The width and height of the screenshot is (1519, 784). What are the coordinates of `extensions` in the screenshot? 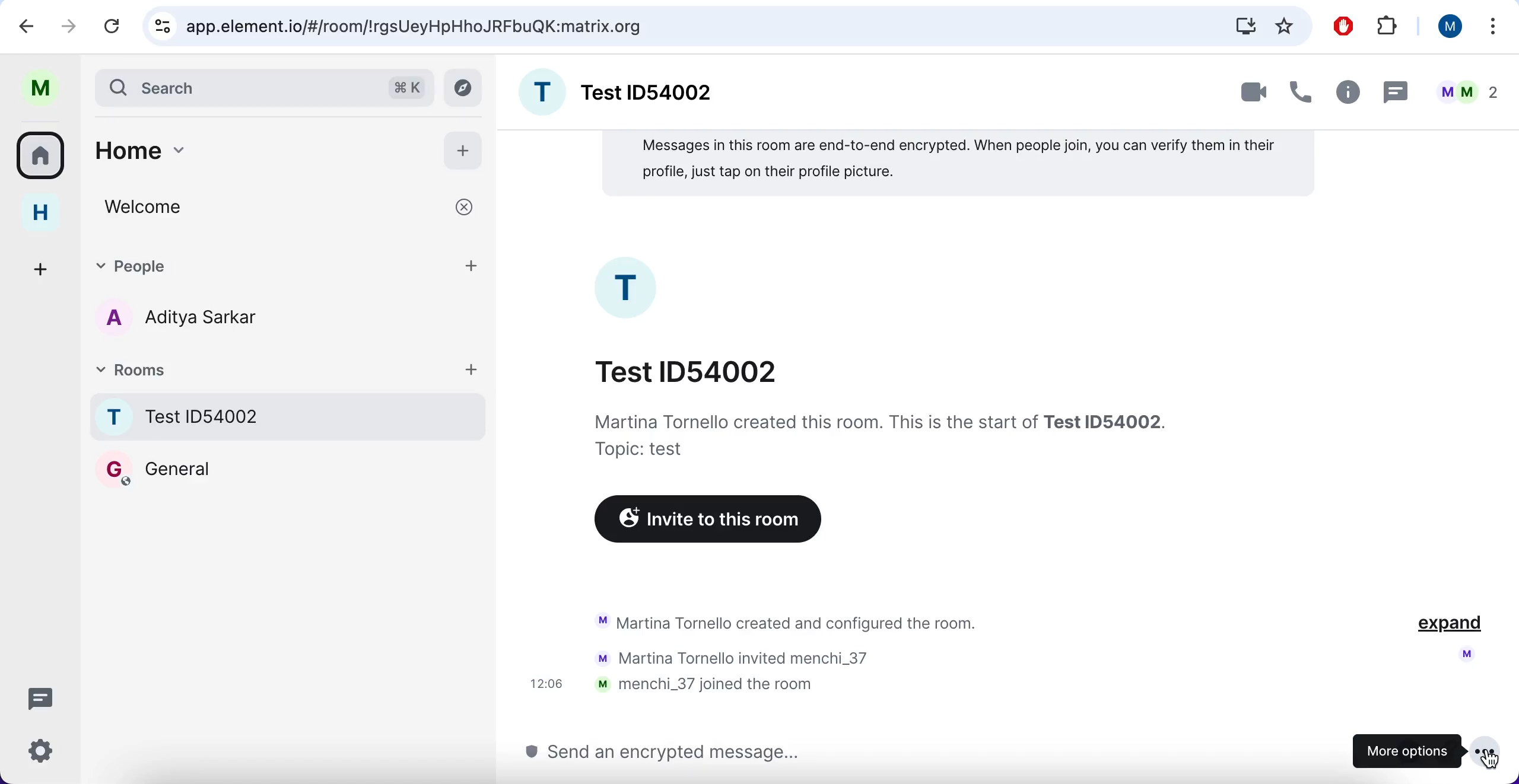 It's located at (1387, 25).